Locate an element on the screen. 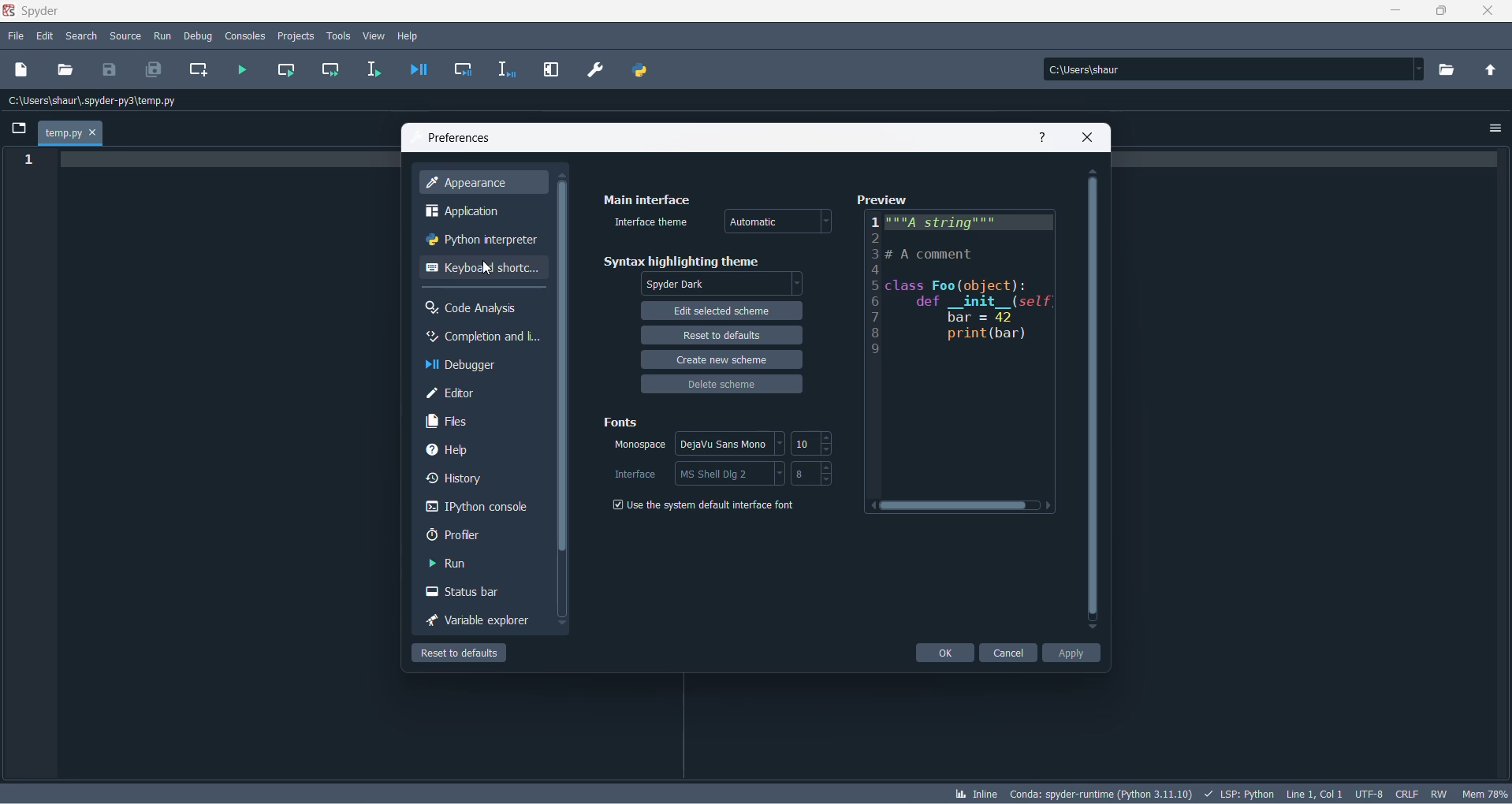 This screenshot has width=1512, height=804. editor is located at coordinates (484, 394).